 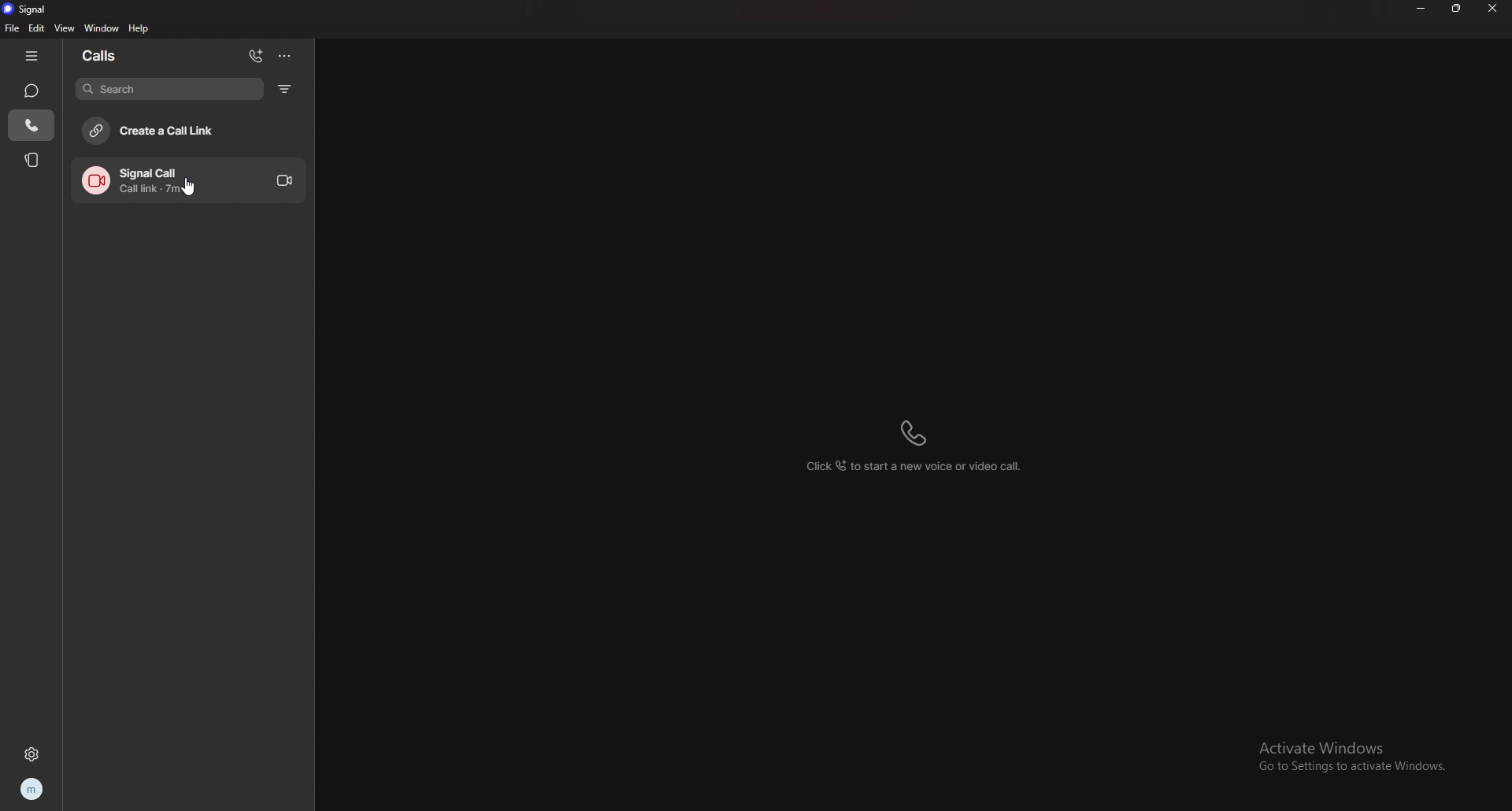 I want to click on stories, so click(x=34, y=159).